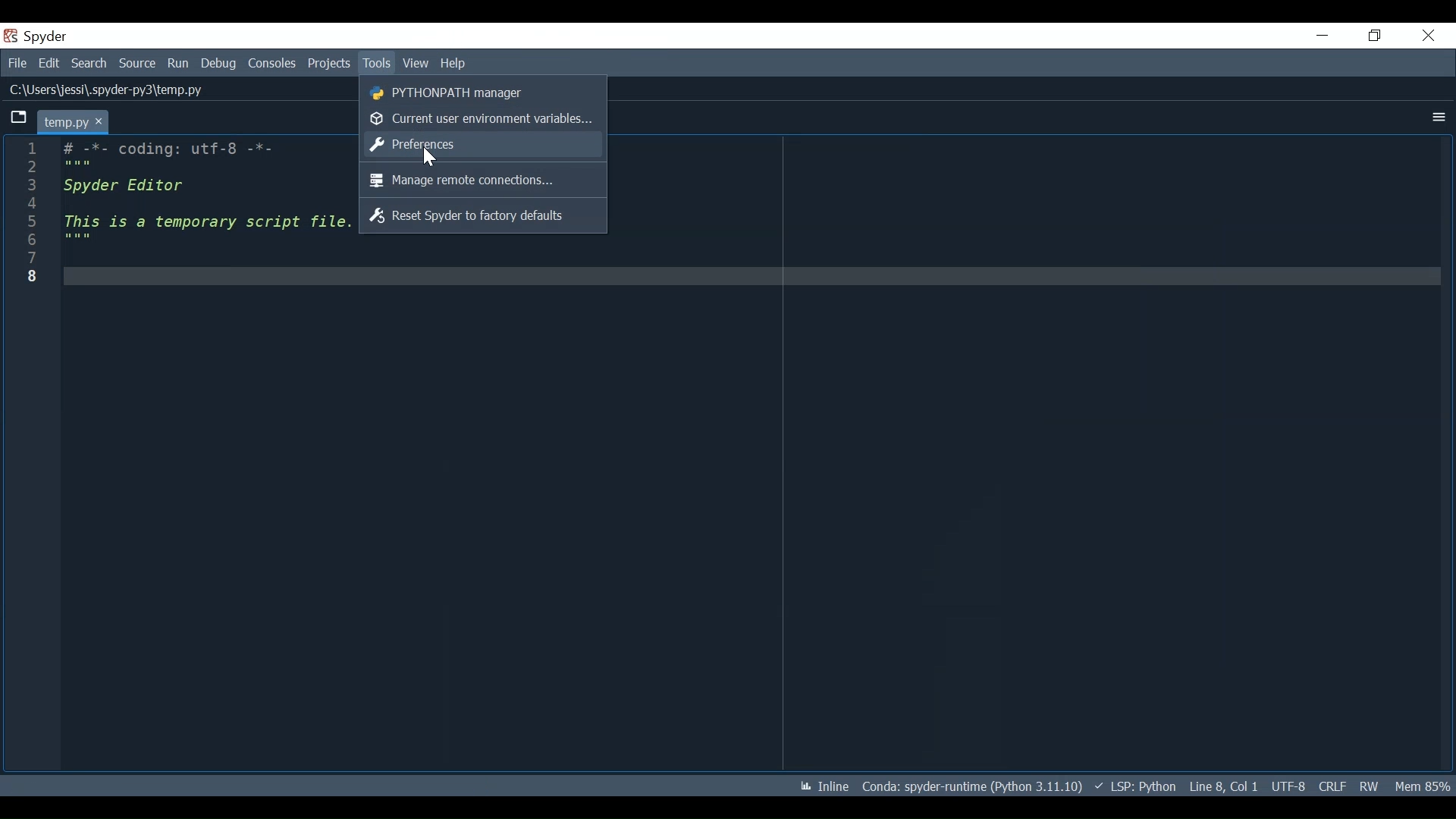  What do you see at coordinates (274, 65) in the screenshot?
I see `Consoles` at bounding box center [274, 65].